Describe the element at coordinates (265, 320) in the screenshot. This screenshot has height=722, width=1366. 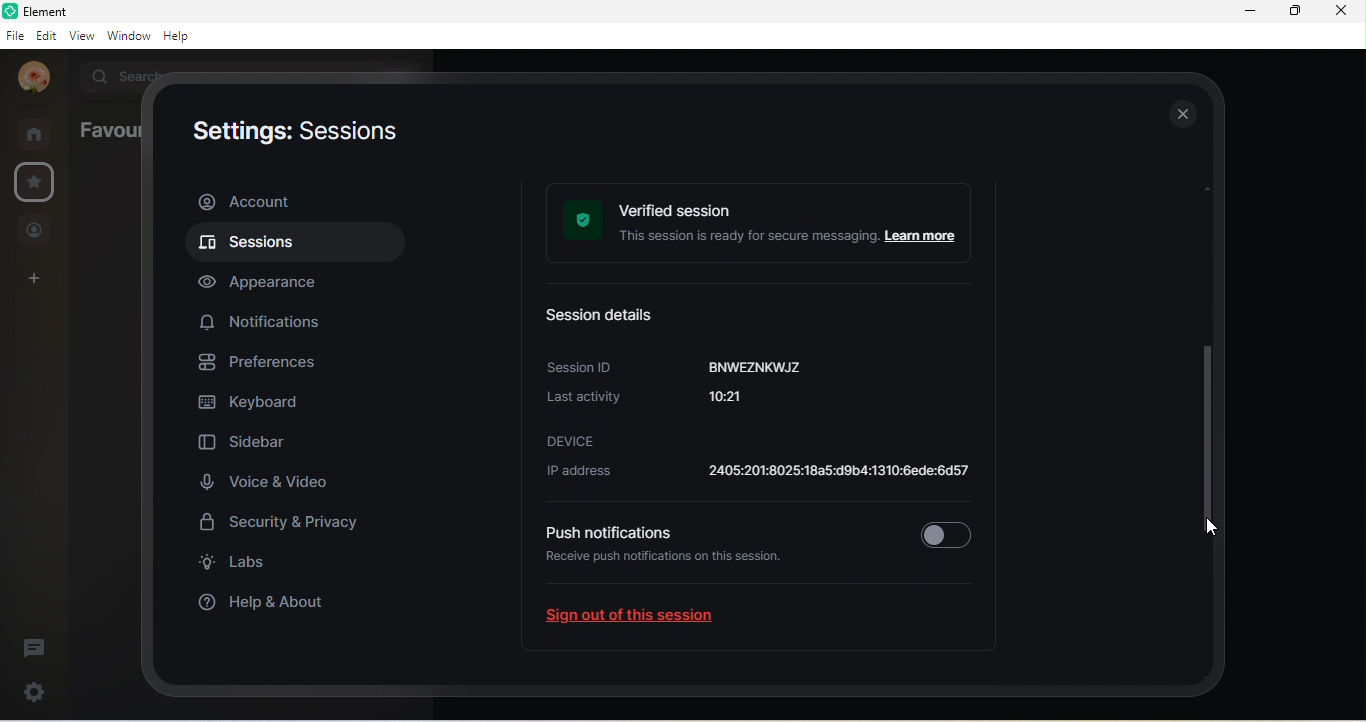
I see `notification` at that location.